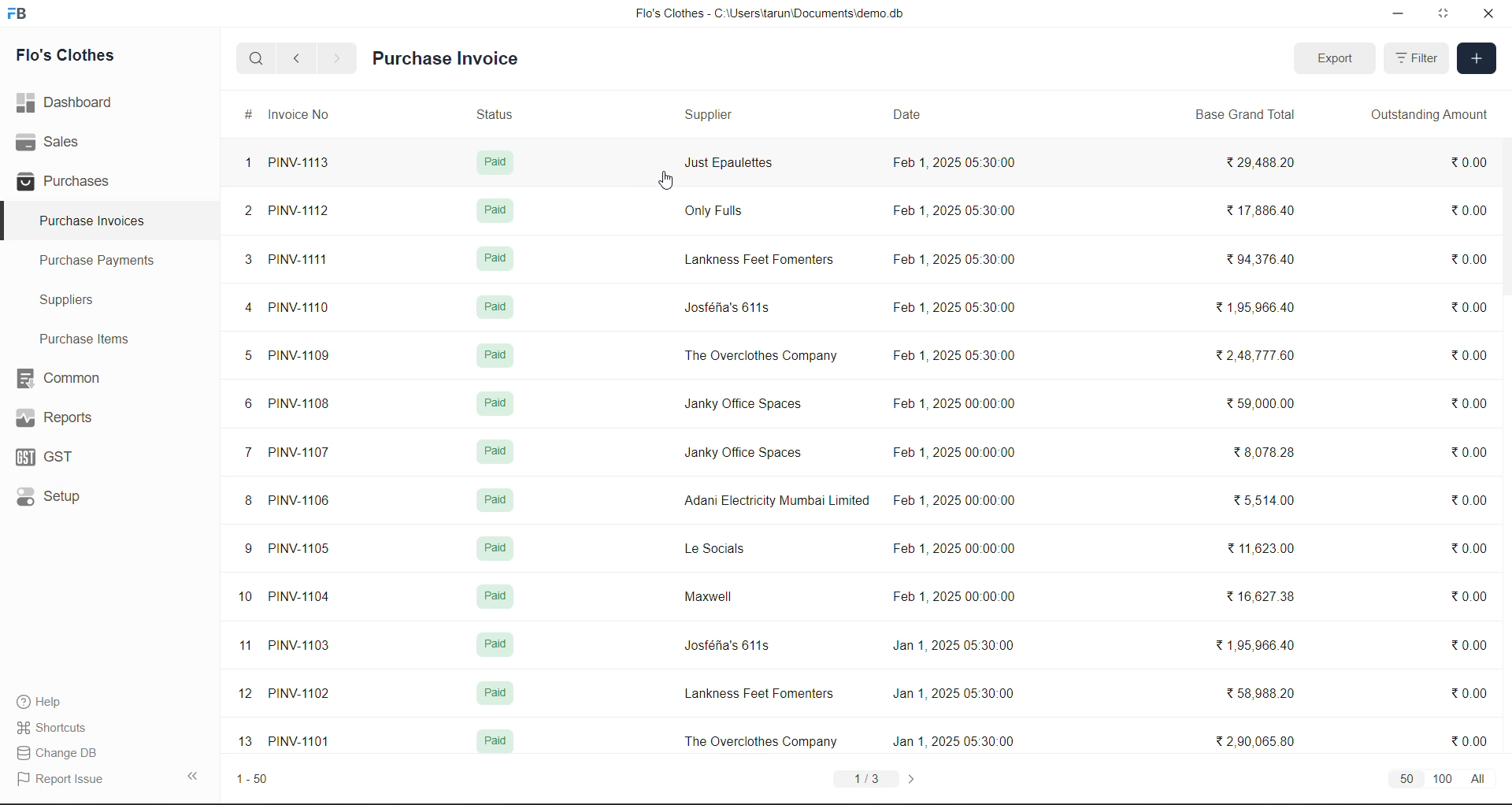  I want to click on Janky Office Spaces, so click(746, 458).